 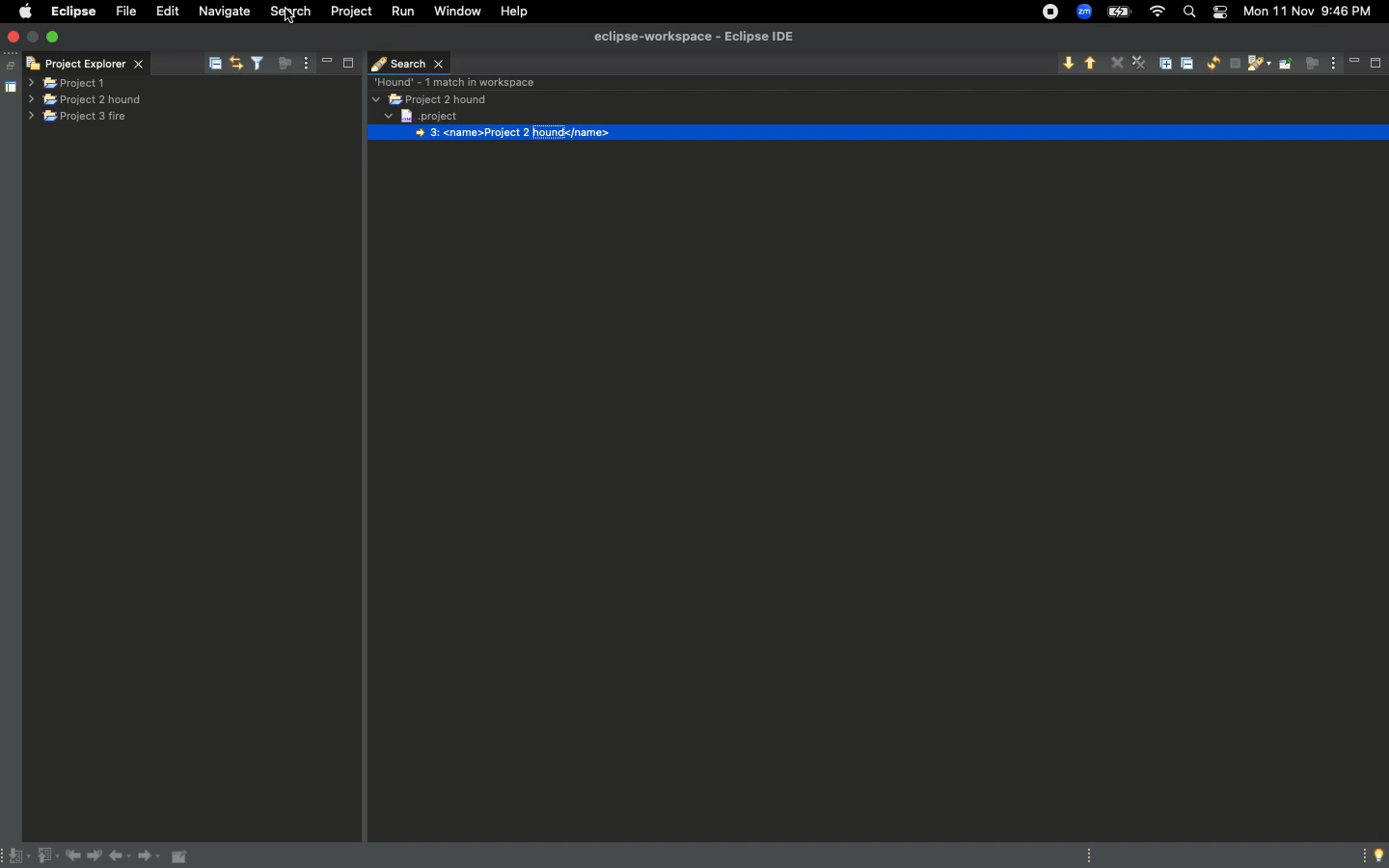 I want to click on minimise, so click(x=1355, y=60).